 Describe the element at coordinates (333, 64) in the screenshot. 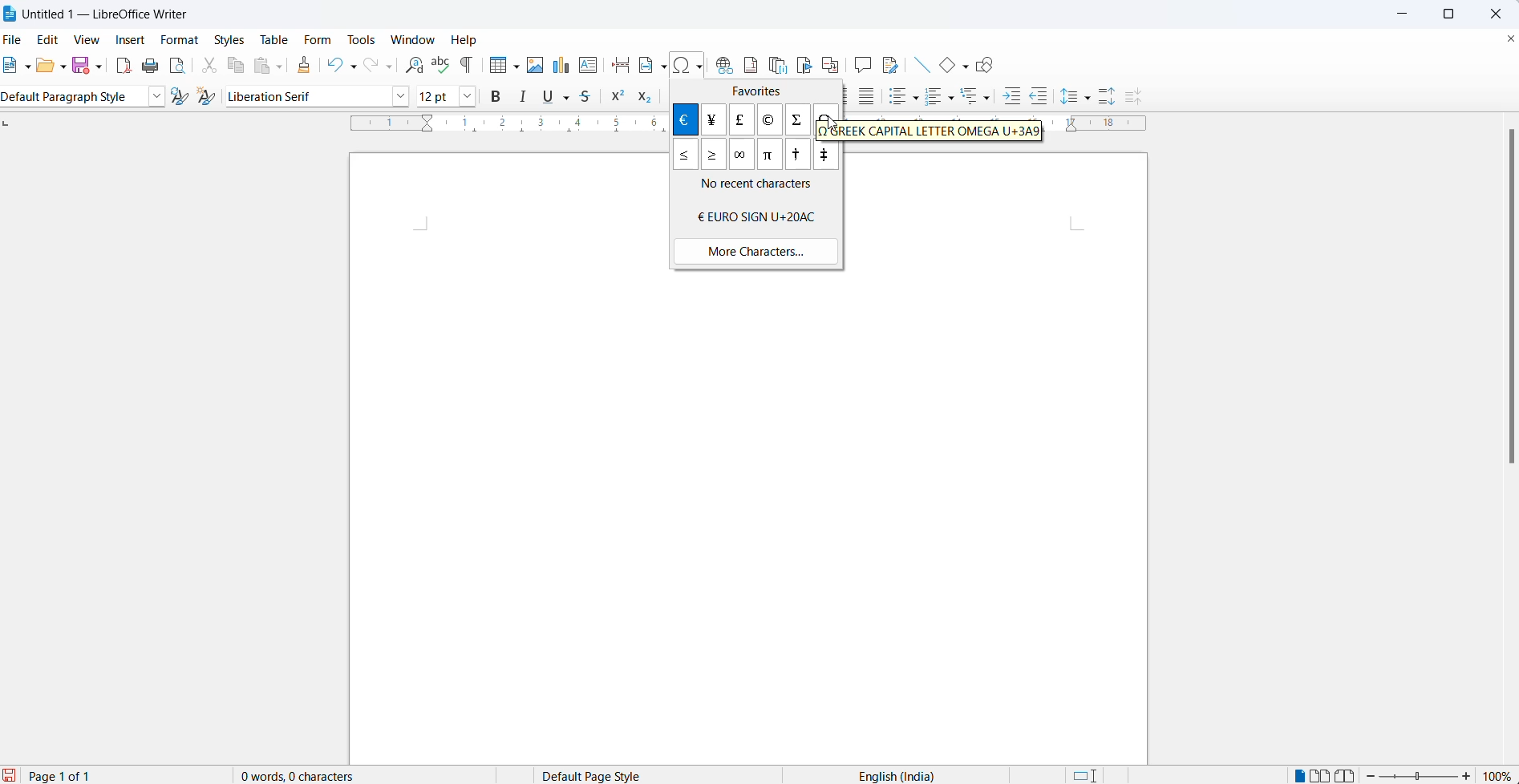

I see `undo` at that location.